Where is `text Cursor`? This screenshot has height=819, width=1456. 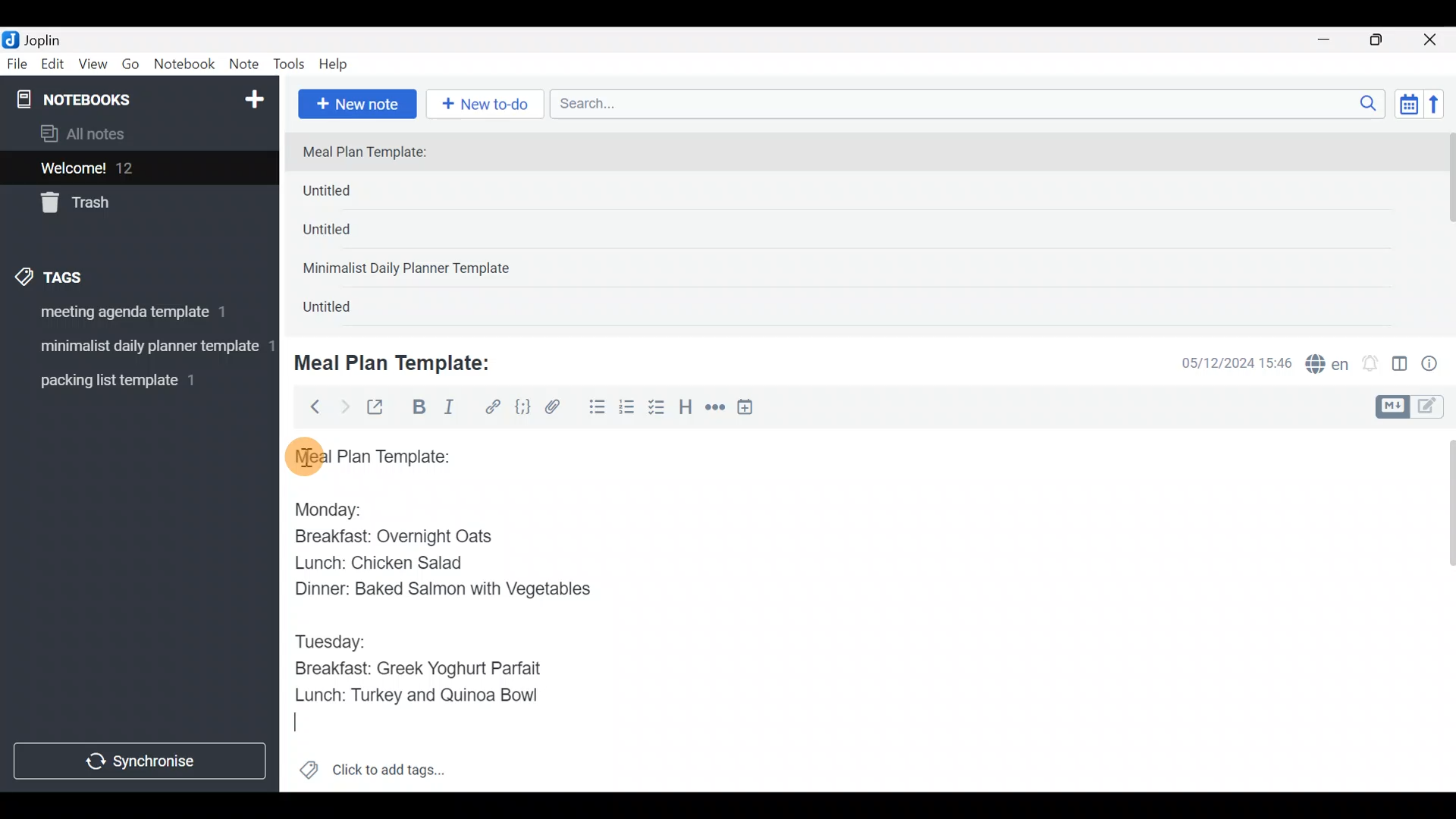
text Cursor is located at coordinates (306, 722).